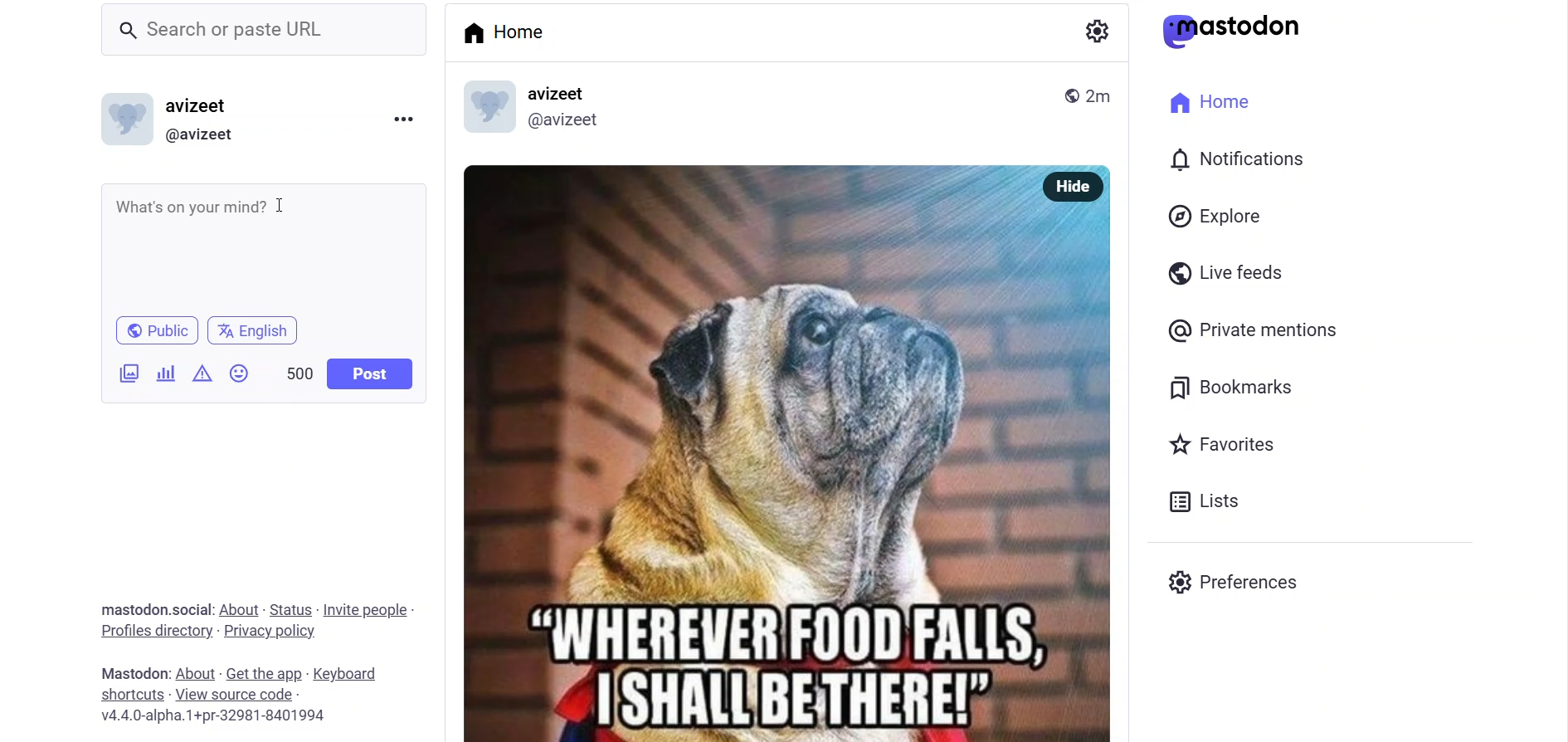 Image resolution: width=1568 pixels, height=742 pixels. Describe the element at coordinates (237, 373) in the screenshot. I see `emoji` at that location.